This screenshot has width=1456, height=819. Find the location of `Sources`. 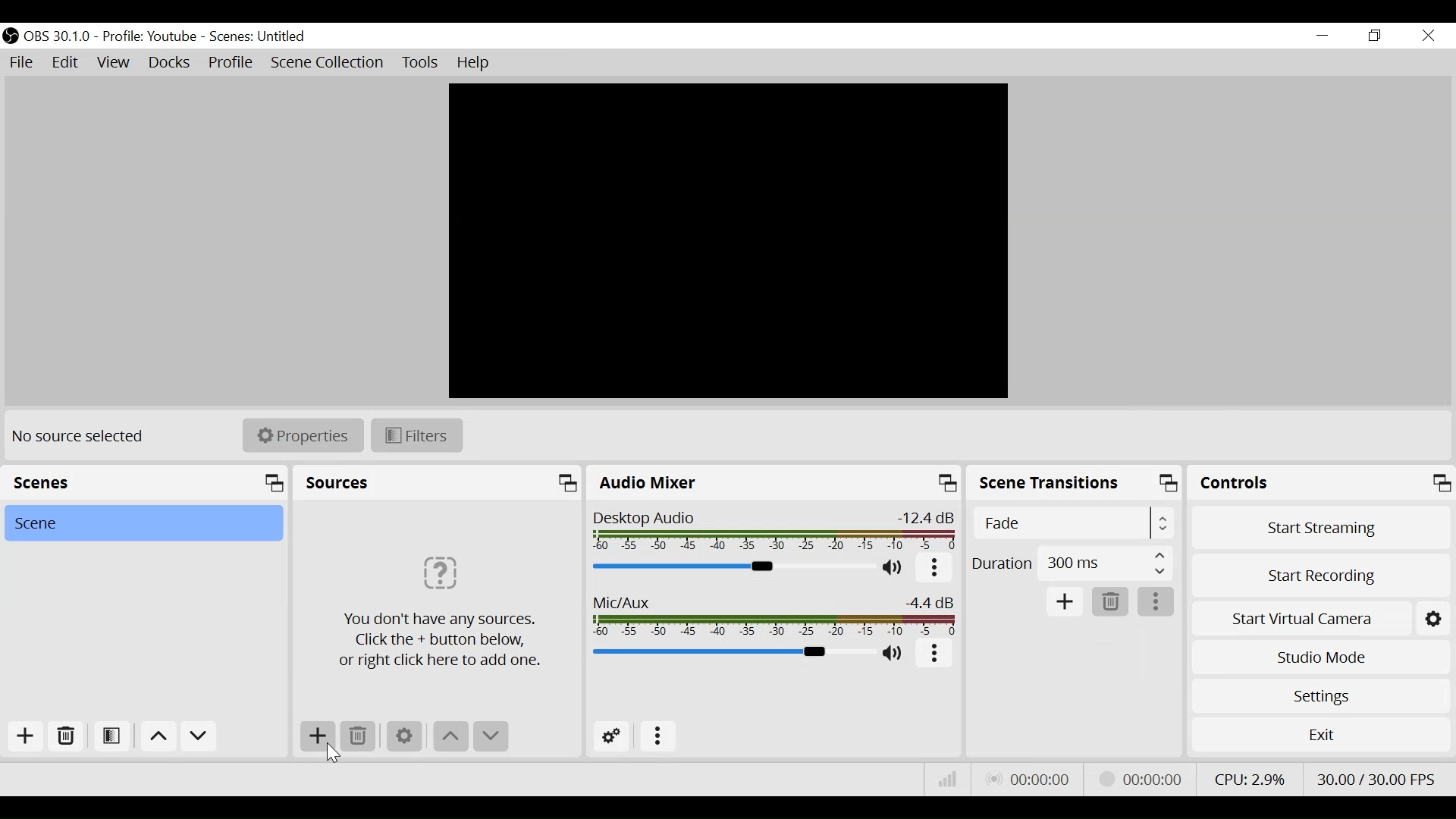

Sources is located at coordinates (438, 485).